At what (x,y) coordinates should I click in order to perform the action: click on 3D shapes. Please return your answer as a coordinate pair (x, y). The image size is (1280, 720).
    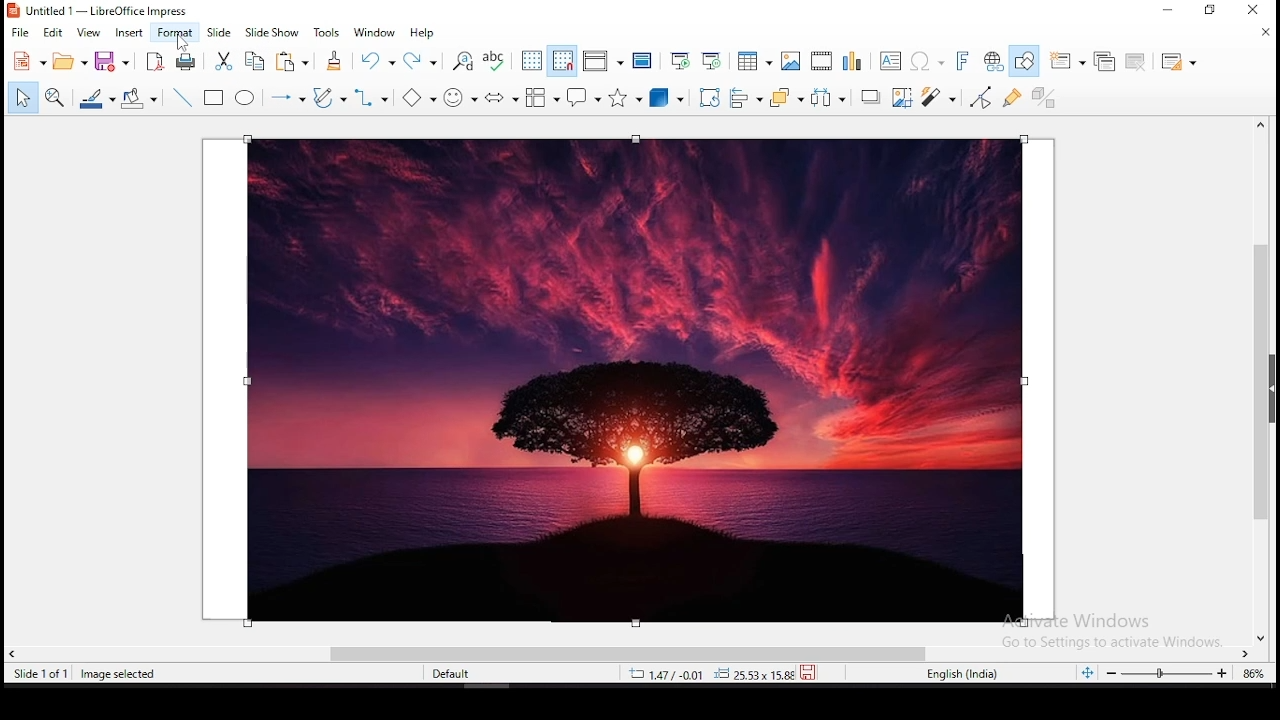
    Looking at the image, I should click on (667, 100).